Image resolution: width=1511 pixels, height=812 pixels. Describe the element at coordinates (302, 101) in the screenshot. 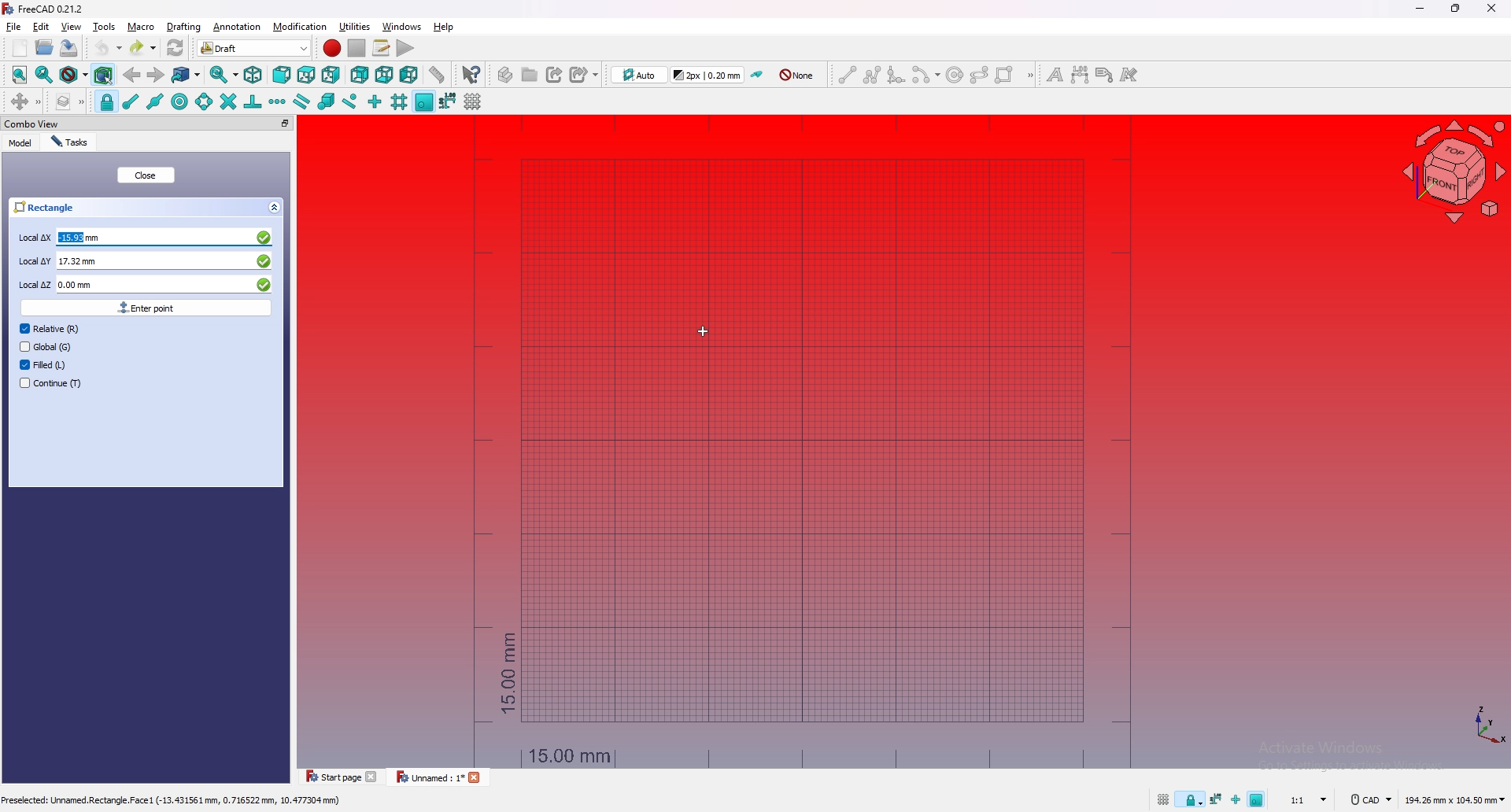

I see `snap parallel` at that location.